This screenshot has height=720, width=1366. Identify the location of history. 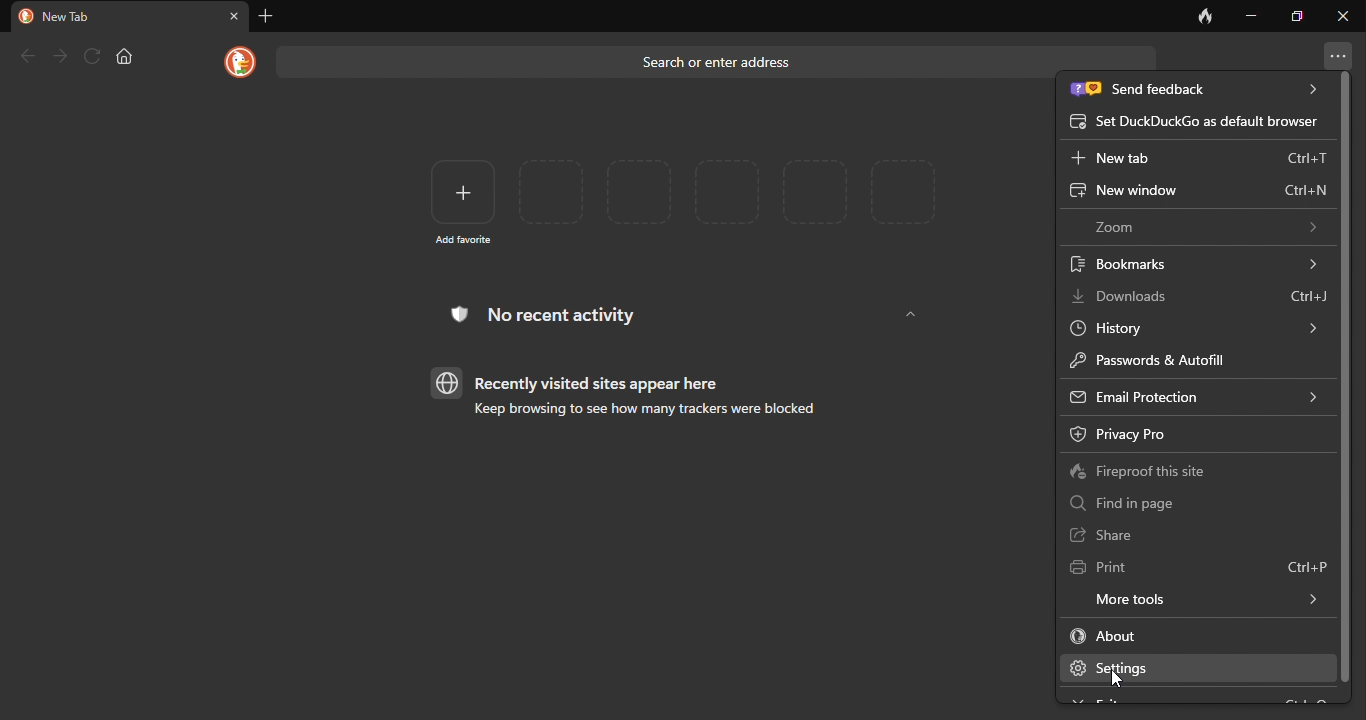
(1194, 328).